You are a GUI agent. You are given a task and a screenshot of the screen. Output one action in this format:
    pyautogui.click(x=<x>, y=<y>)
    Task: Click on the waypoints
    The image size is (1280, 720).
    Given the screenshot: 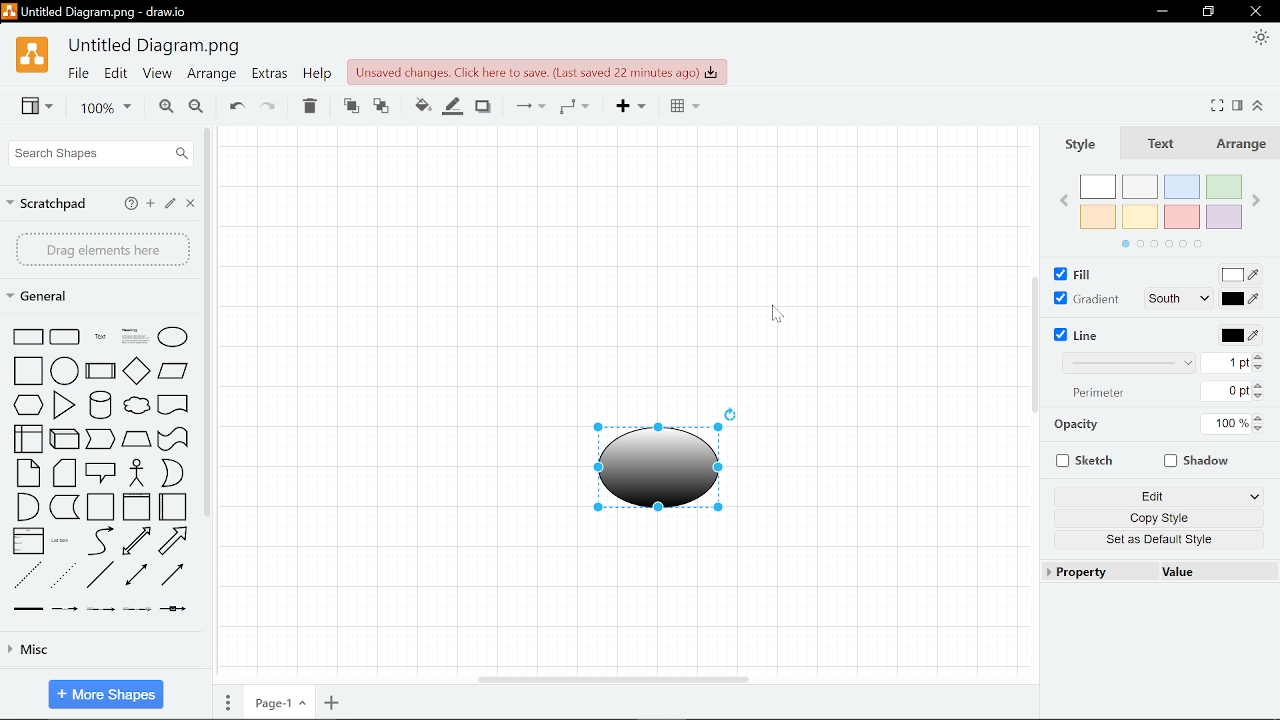 What is the action you would take?
    pyautogui.click(x=574, y=106)
    